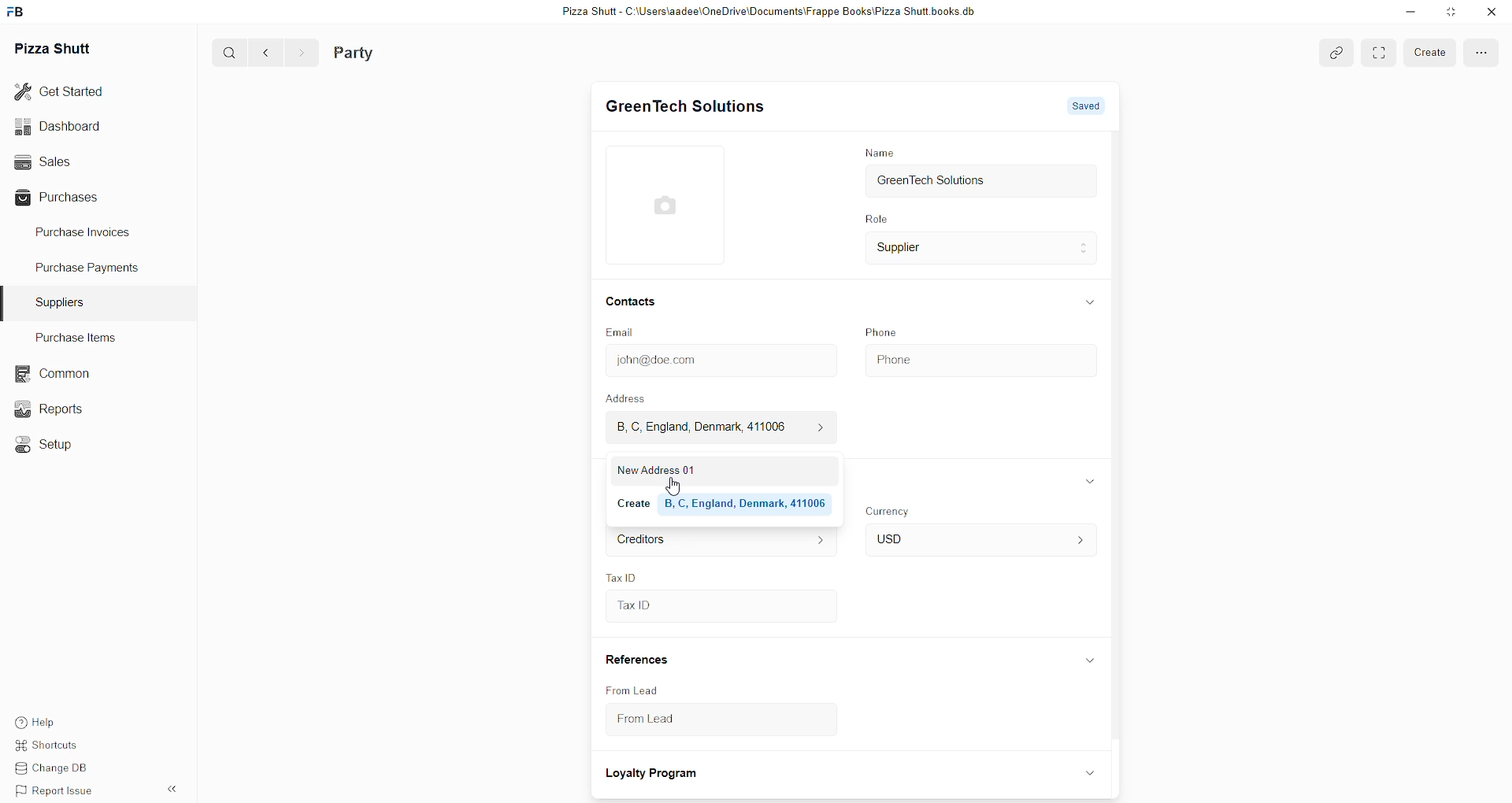  What do you see at coordinates (1425, 52) in the screenshot?
I see `create` at bounding box center [1425, 52].